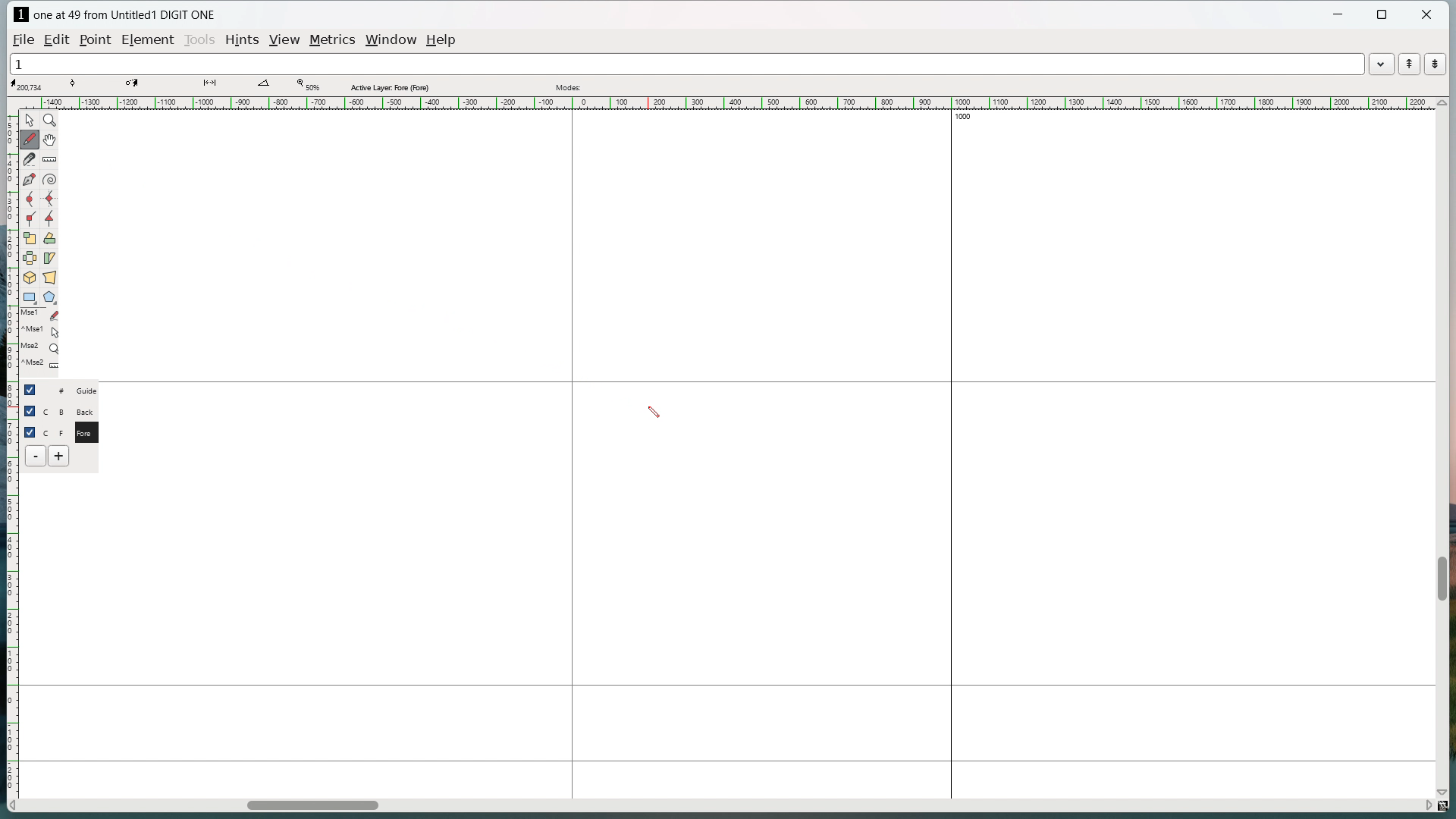  I want to click on C F Fore, so click(72, 431).